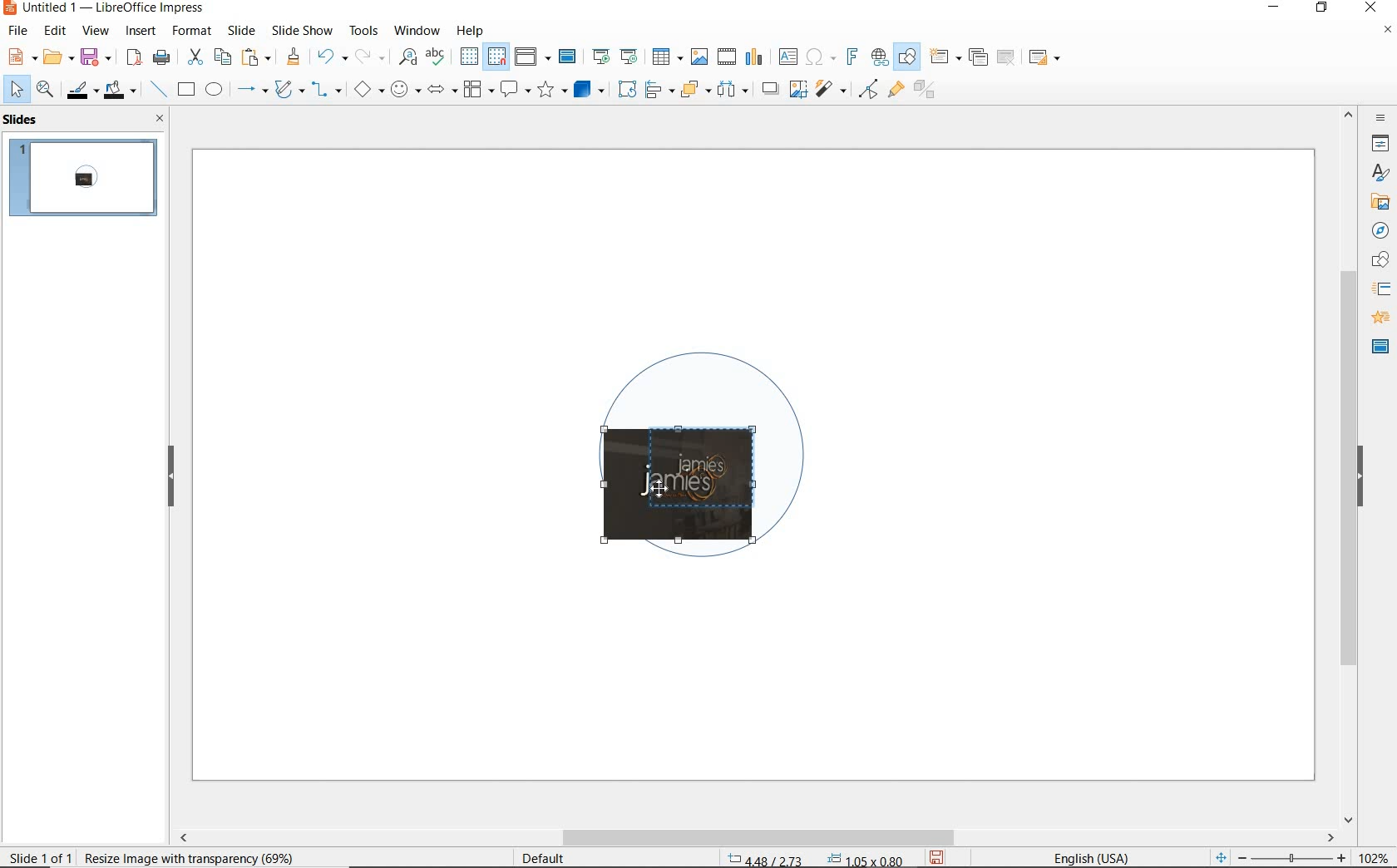  Describe the element at coordinates (733, 90) in the screenshot. I see `select at least three objects to distribute` at that location.